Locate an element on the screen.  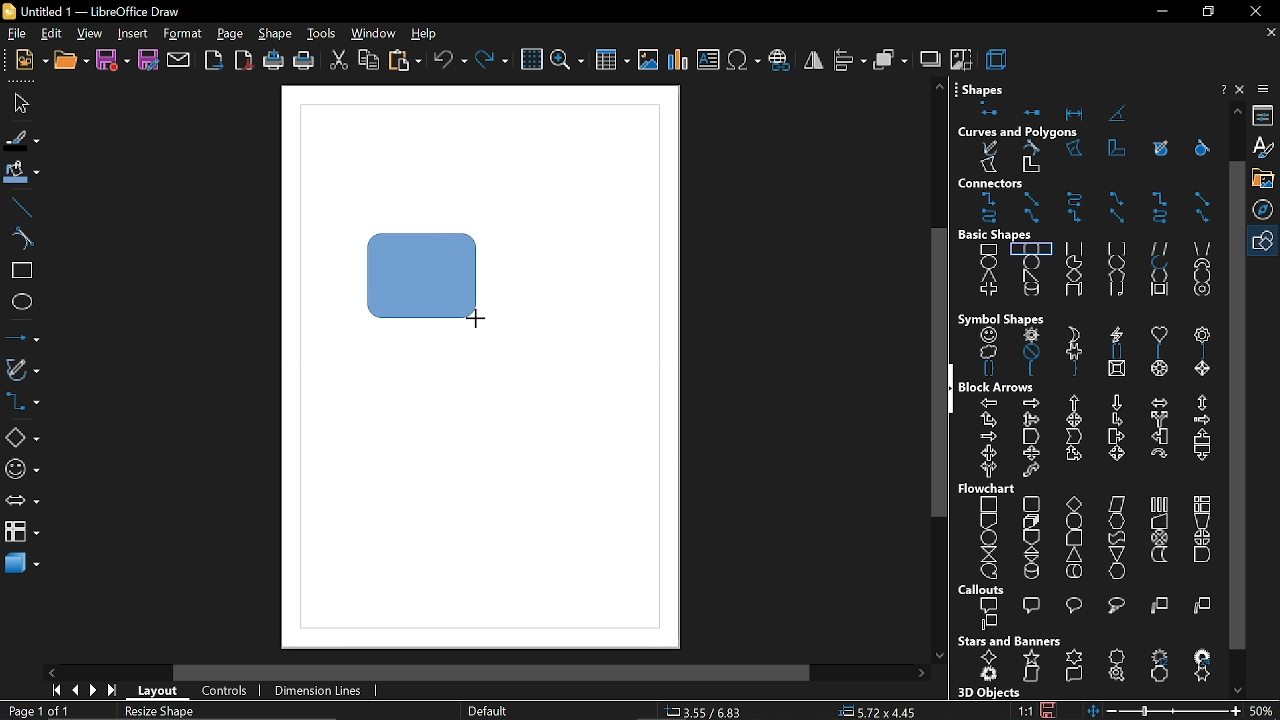
scaling factor is located at coordinates (1025, 711).